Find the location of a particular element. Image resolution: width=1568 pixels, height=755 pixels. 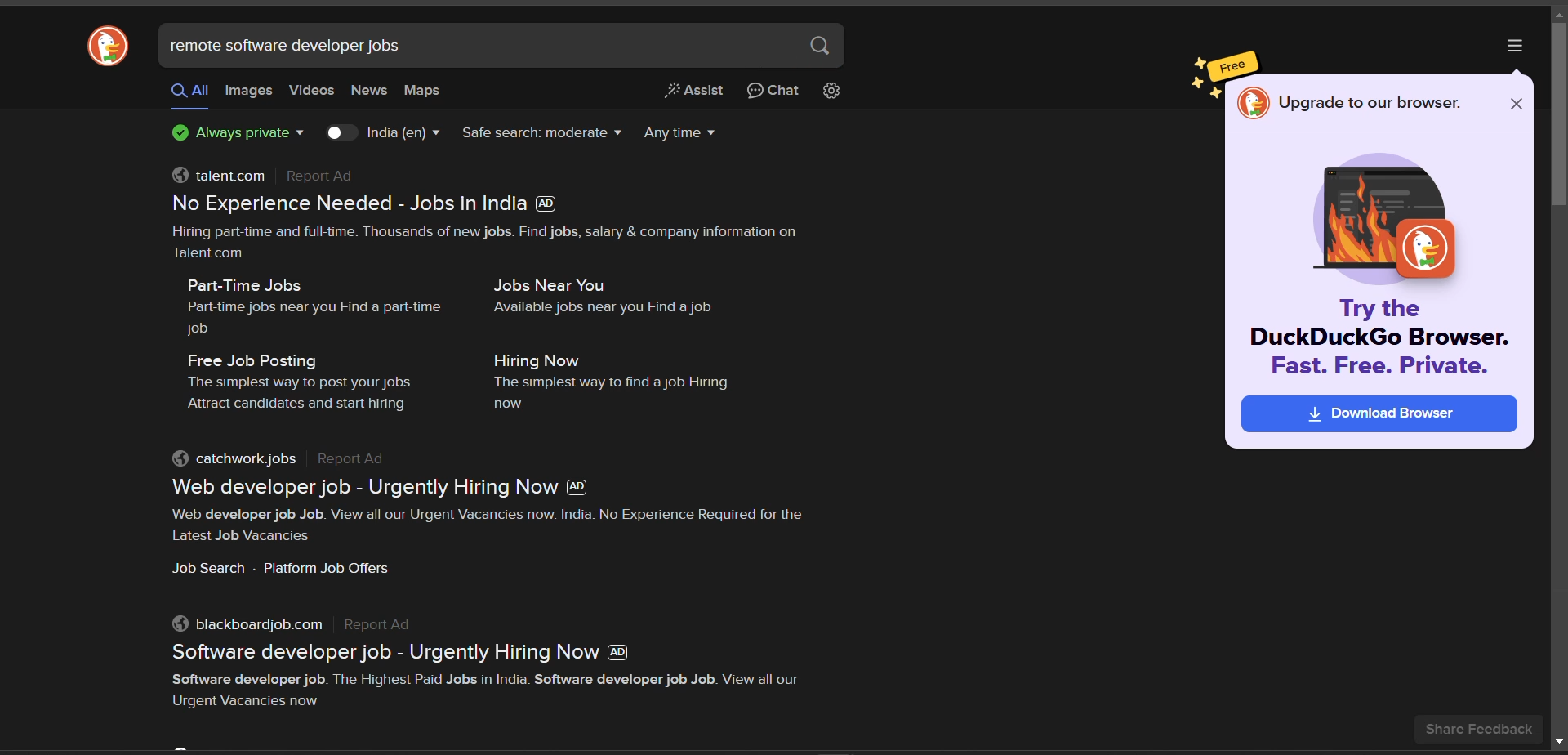

The simplest way to post your jobs Attract candidates and start hiring is located at coordinates (299, 395).